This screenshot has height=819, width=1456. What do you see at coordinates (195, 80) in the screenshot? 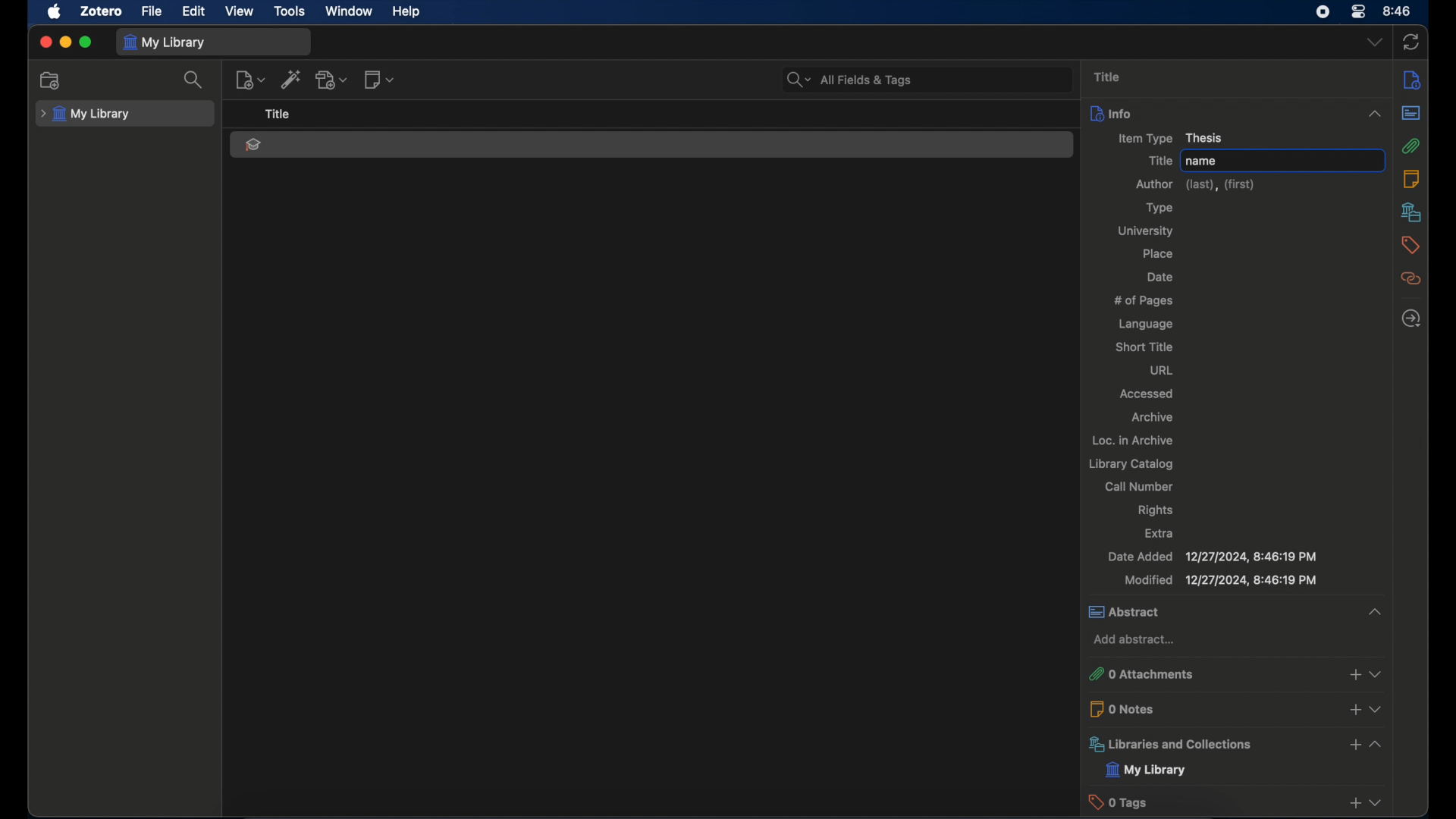
I see `search` at bounding box center [195, 80].